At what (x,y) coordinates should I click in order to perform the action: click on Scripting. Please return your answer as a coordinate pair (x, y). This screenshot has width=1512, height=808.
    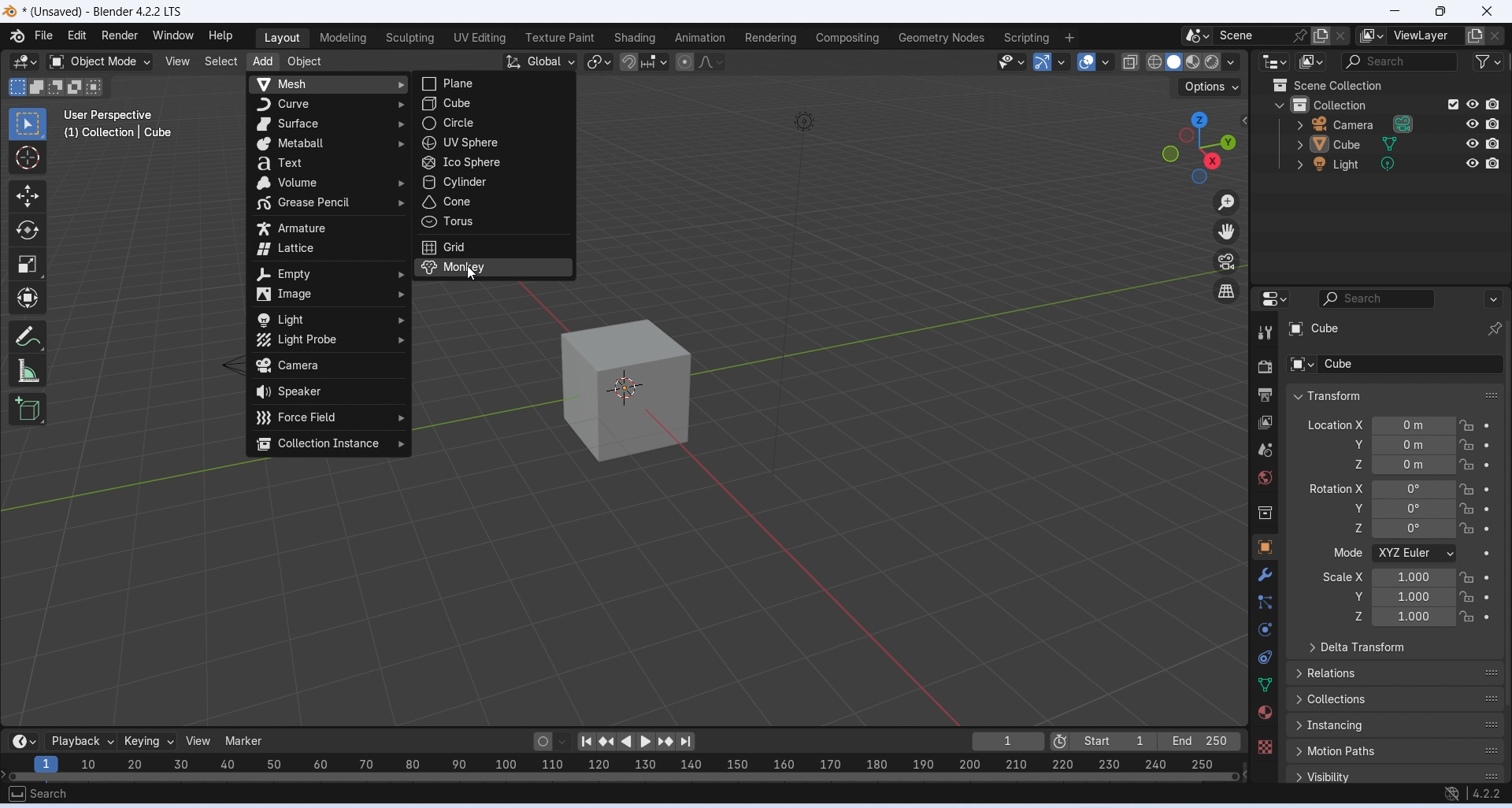
    Looking at the image, I should click on (1025, 38).